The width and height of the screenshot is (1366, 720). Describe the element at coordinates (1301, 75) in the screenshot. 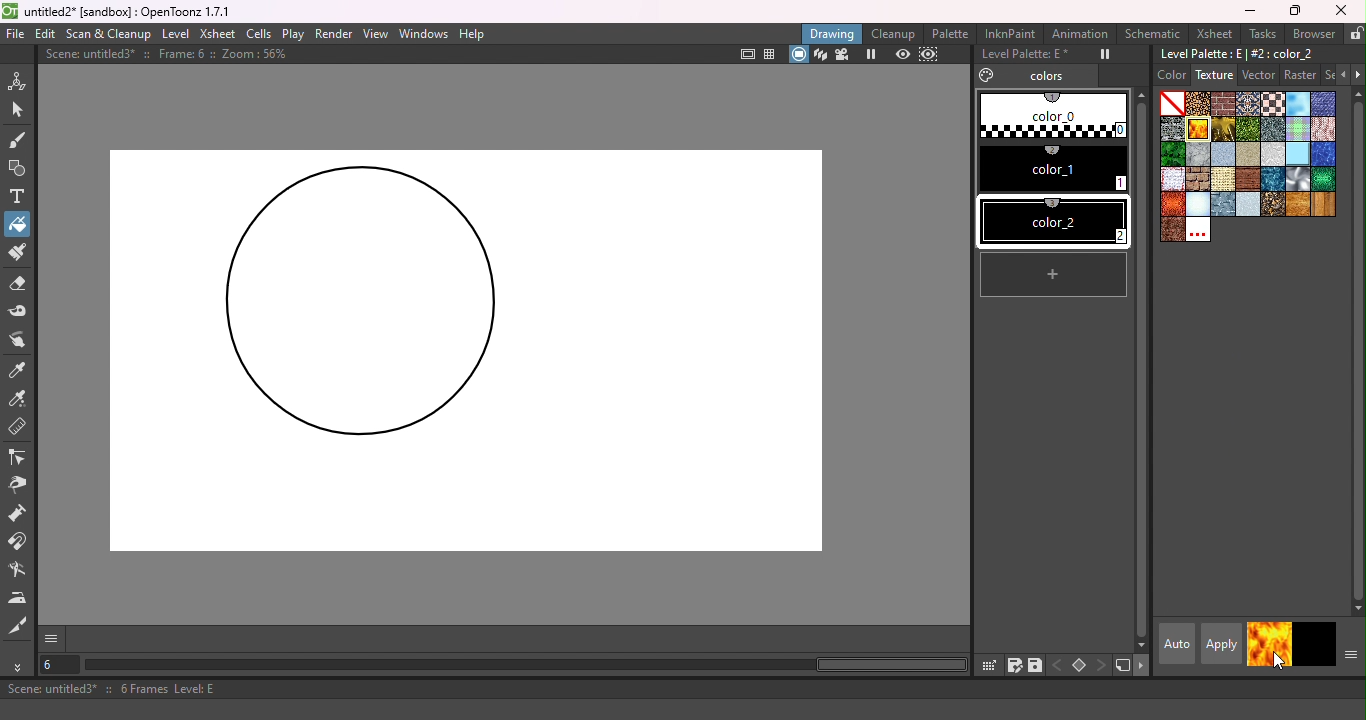

I see `Raster` at that location.